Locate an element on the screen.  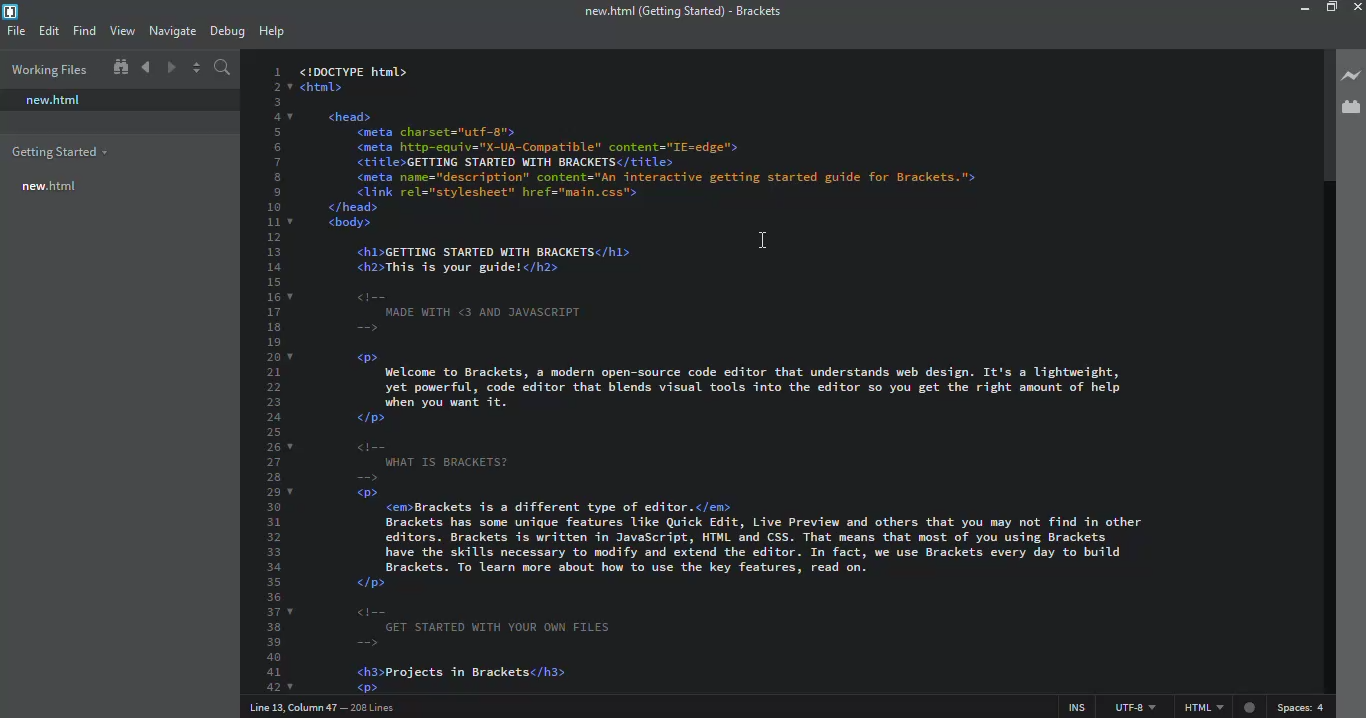
cursor is located at coordinates (761, 239).